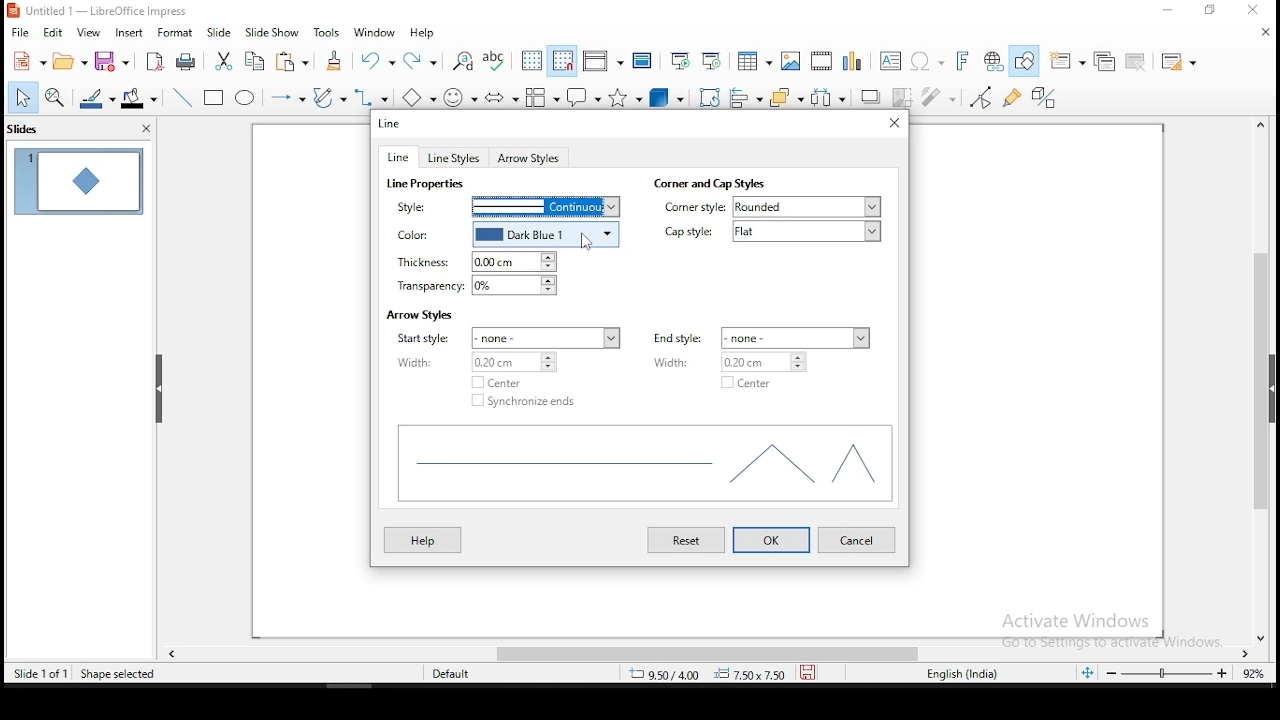  Describe the element at coordinates (18, 99) in the screenshot. I see `select tool` at that location.